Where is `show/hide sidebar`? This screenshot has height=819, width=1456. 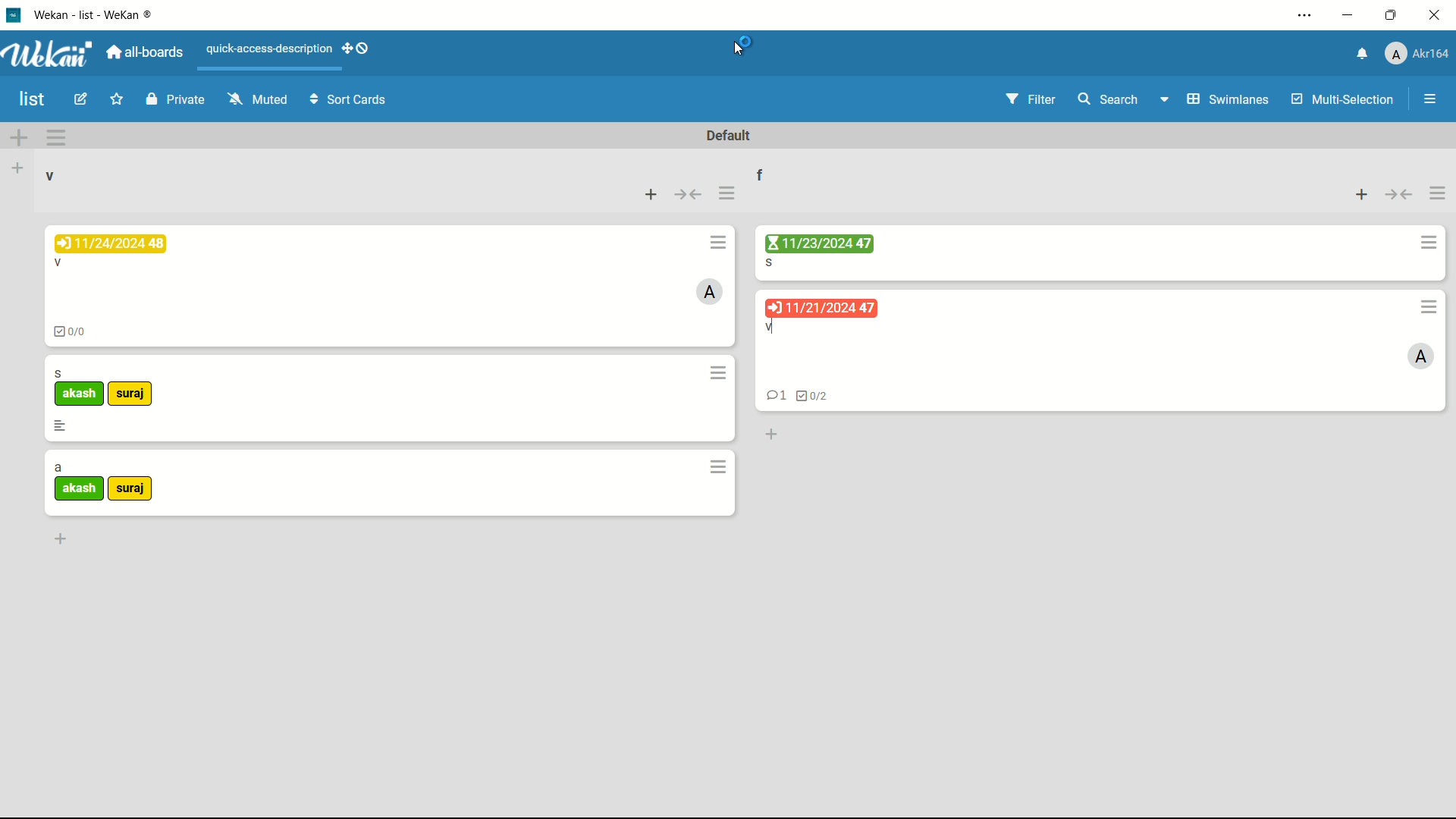 show/hide sidebar is located at coordinates (1431, 99).